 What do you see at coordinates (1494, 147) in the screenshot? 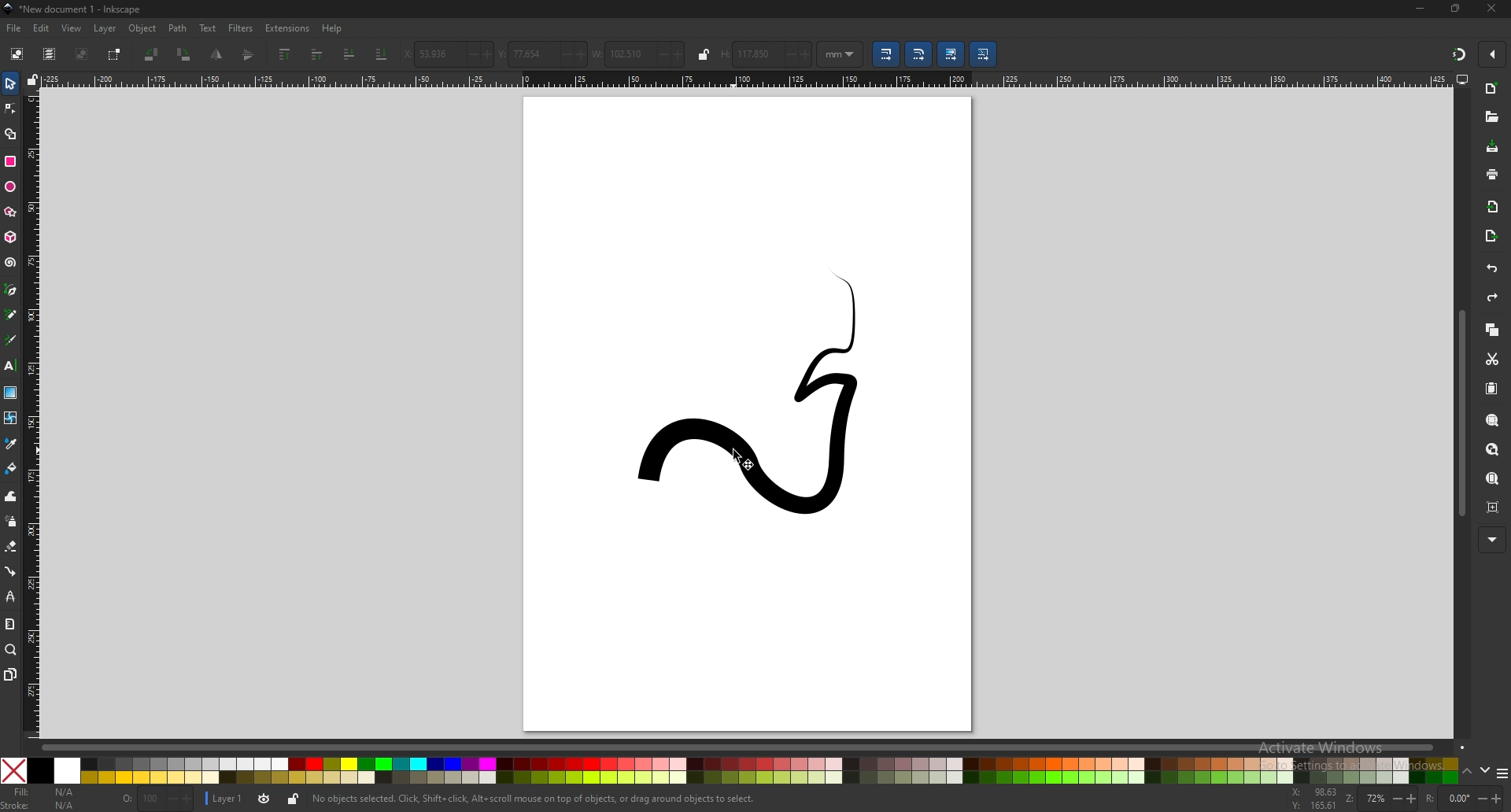
I see `save` at bounding box center [1494, 147].